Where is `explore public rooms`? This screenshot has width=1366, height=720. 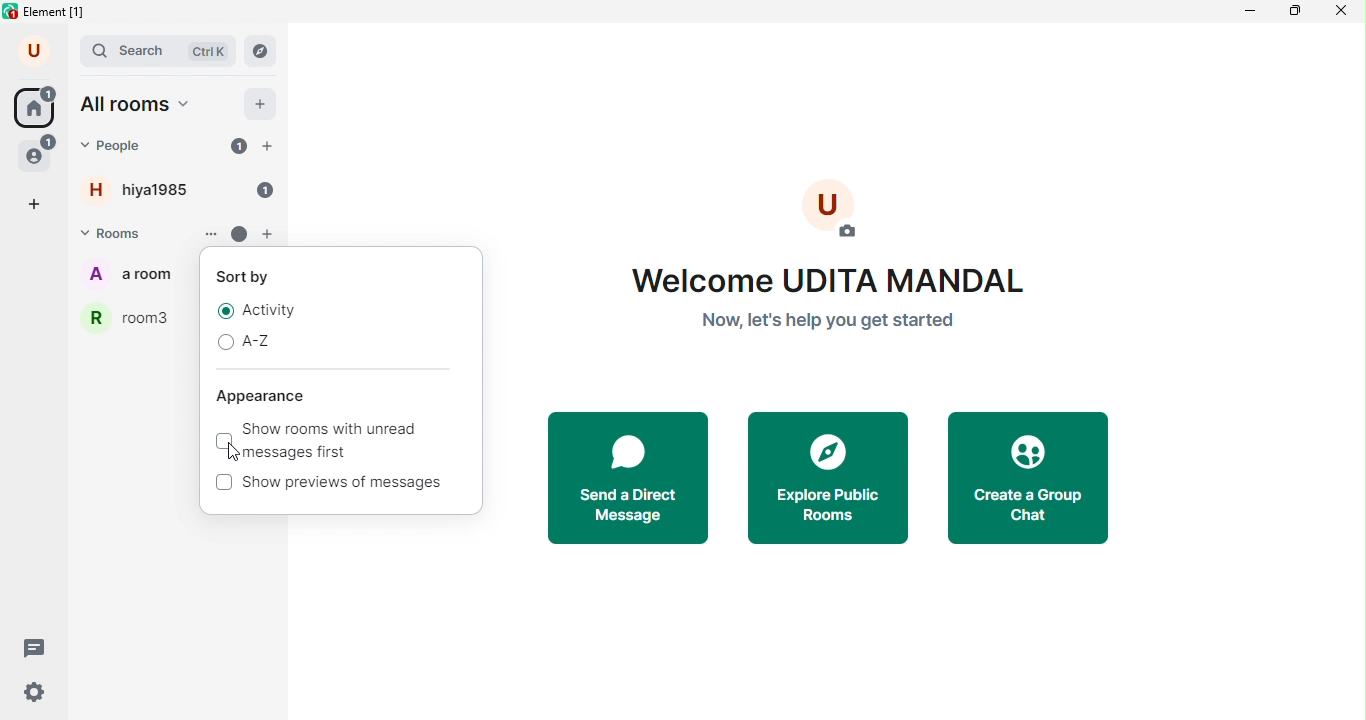 explore public rooms is located at coordinates (829, 478).